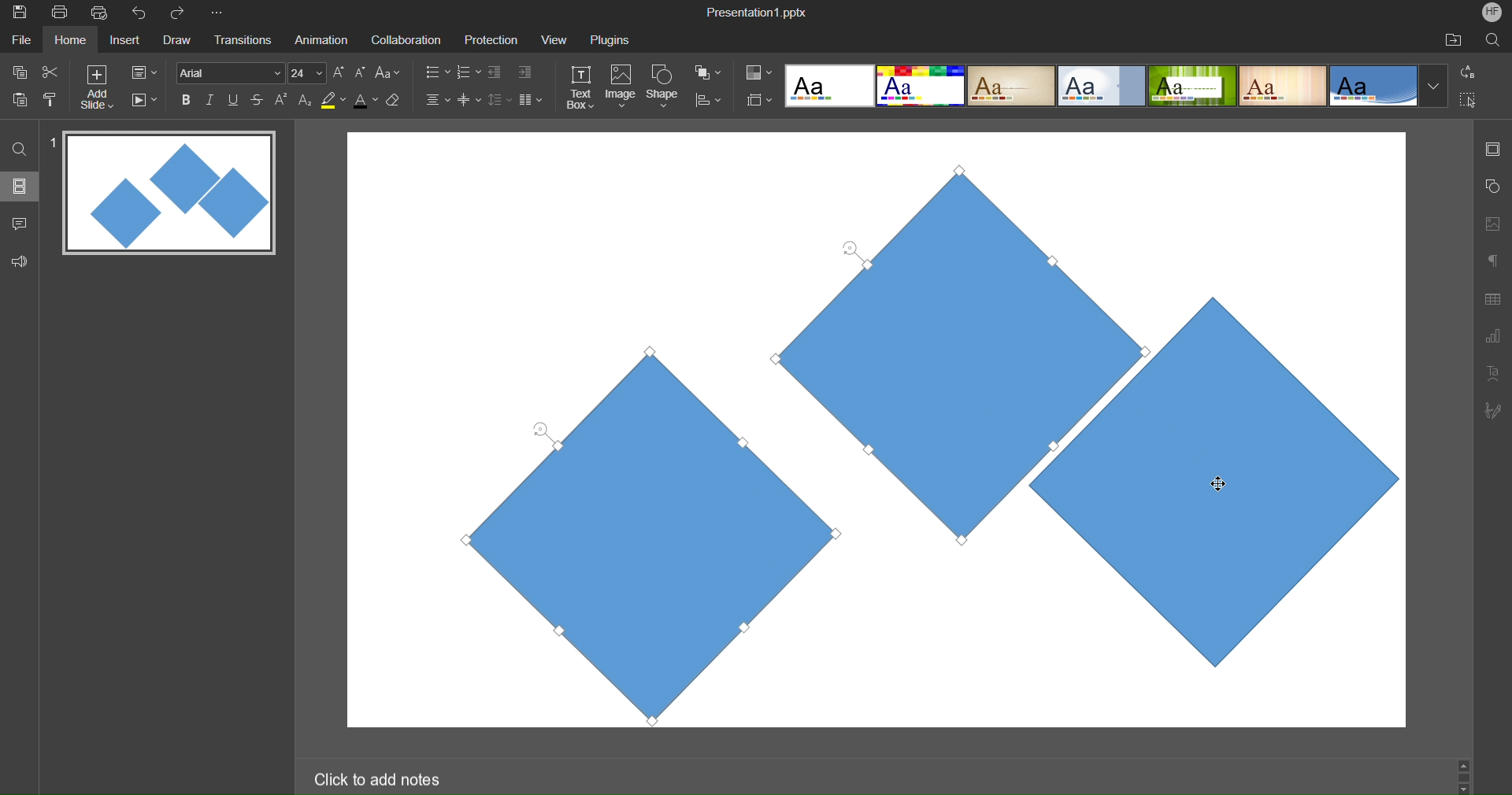 The height and width of the screenshot is (795, 1512). What do you see at coordinates (709, 72) in the screenshot?
I see `Arrange` at bounding box center [709, 72].